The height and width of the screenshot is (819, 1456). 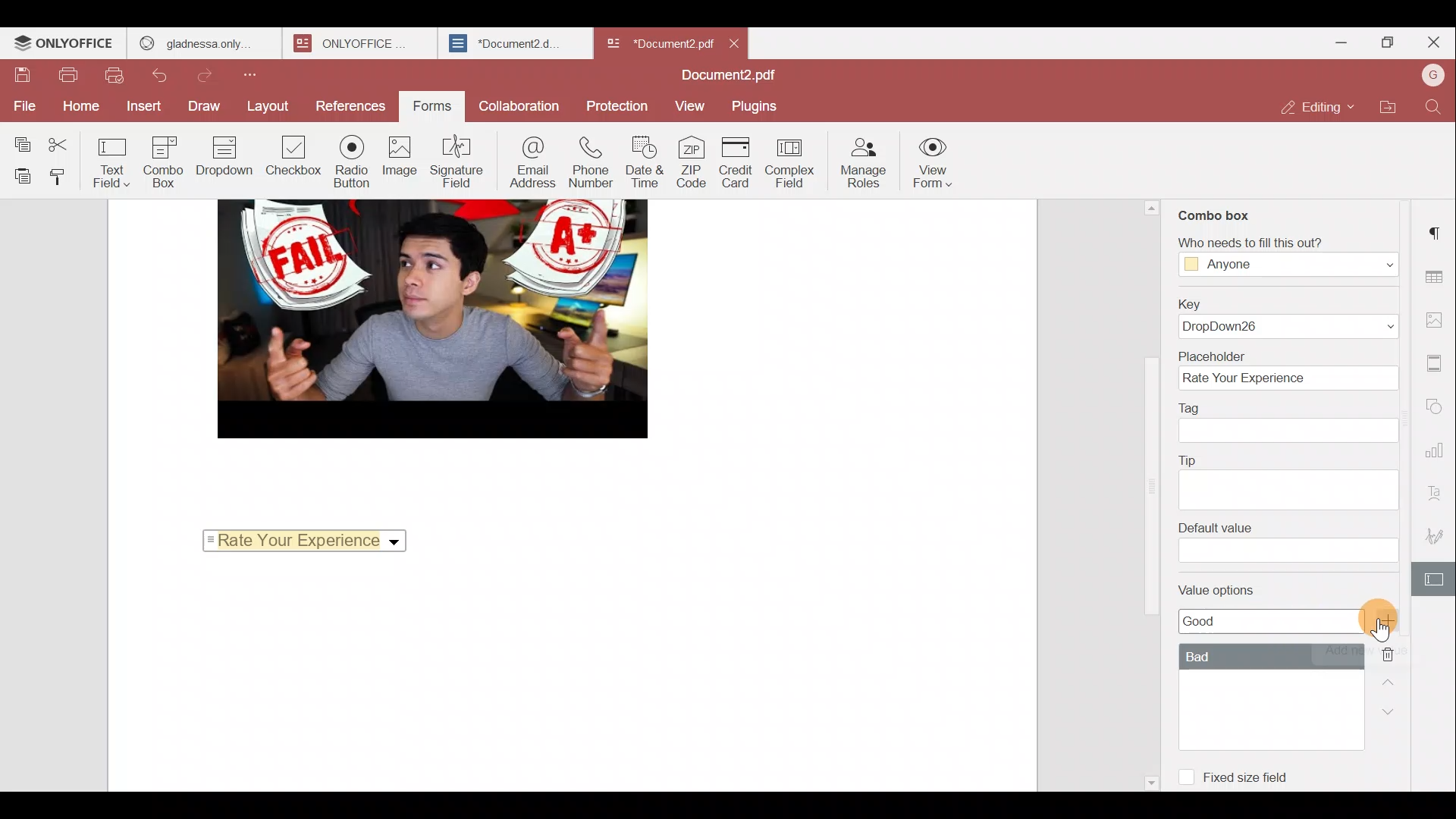 I want to click on Save, so click(x=23, y=76).